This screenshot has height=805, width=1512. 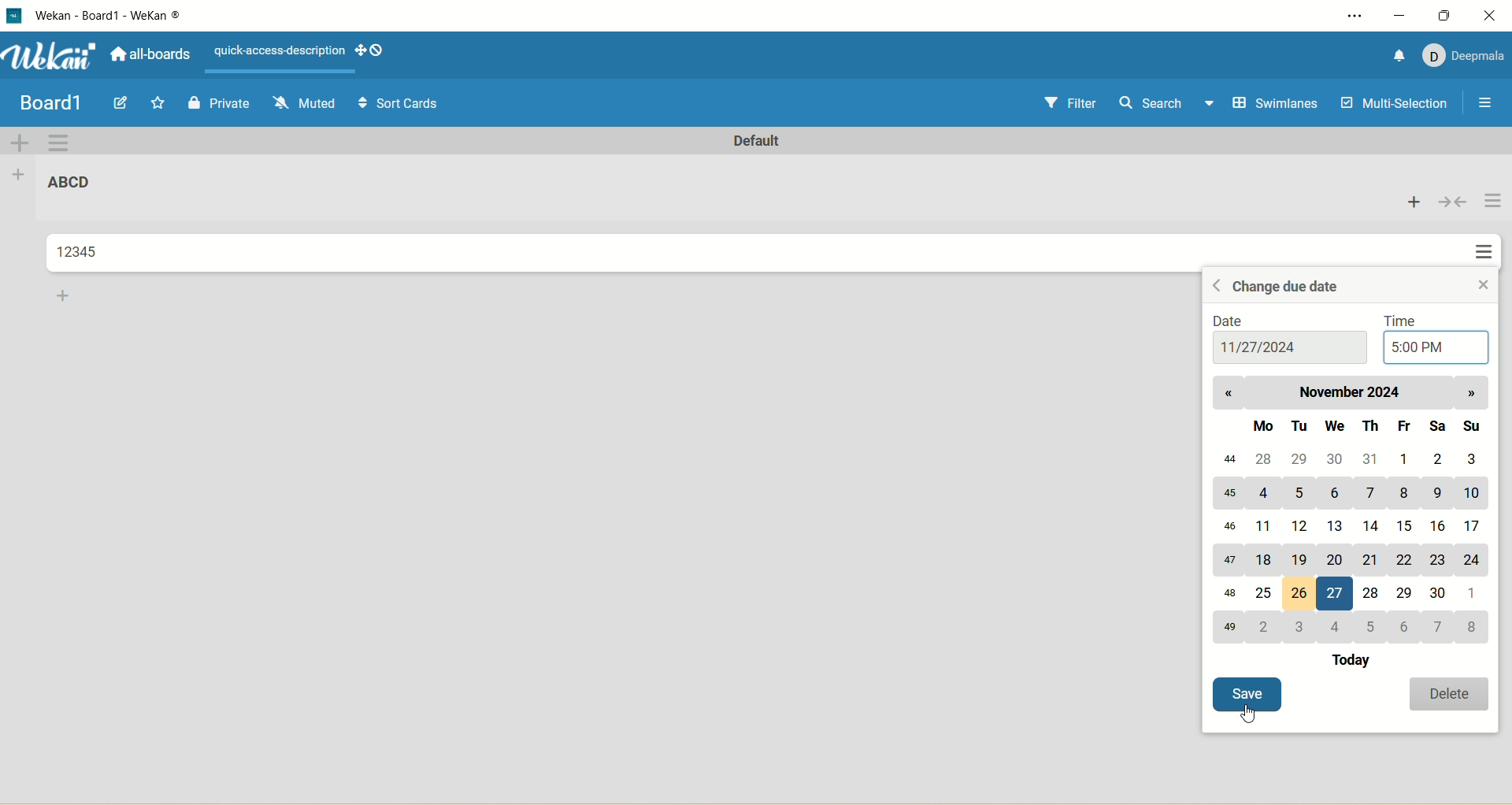 What do you see at coordinates (1443, 349) in the screenshot?
I see `time` at bounding box center [1443, 349].